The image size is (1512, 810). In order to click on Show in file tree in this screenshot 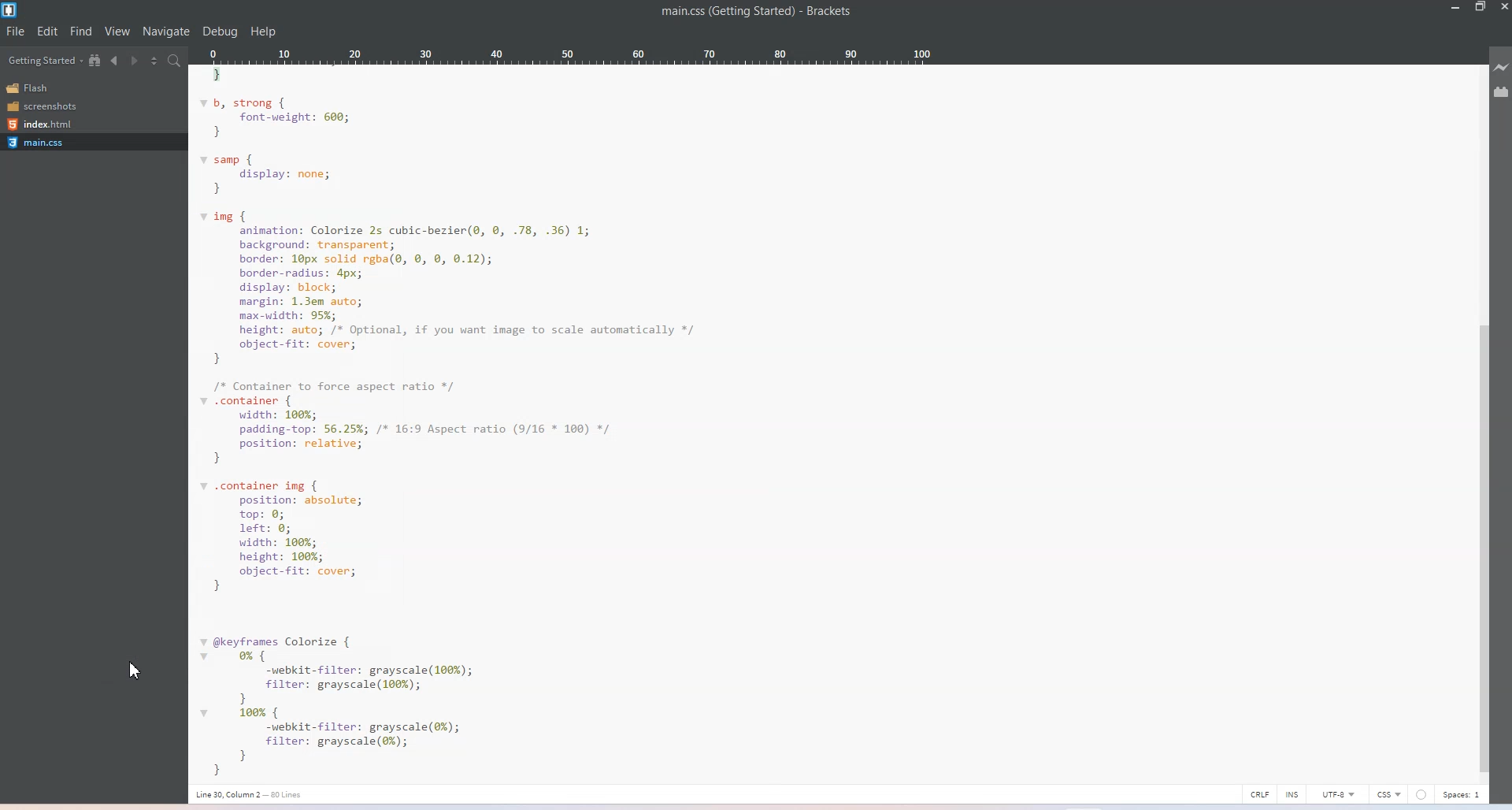, I will do `click(96, 60)`.